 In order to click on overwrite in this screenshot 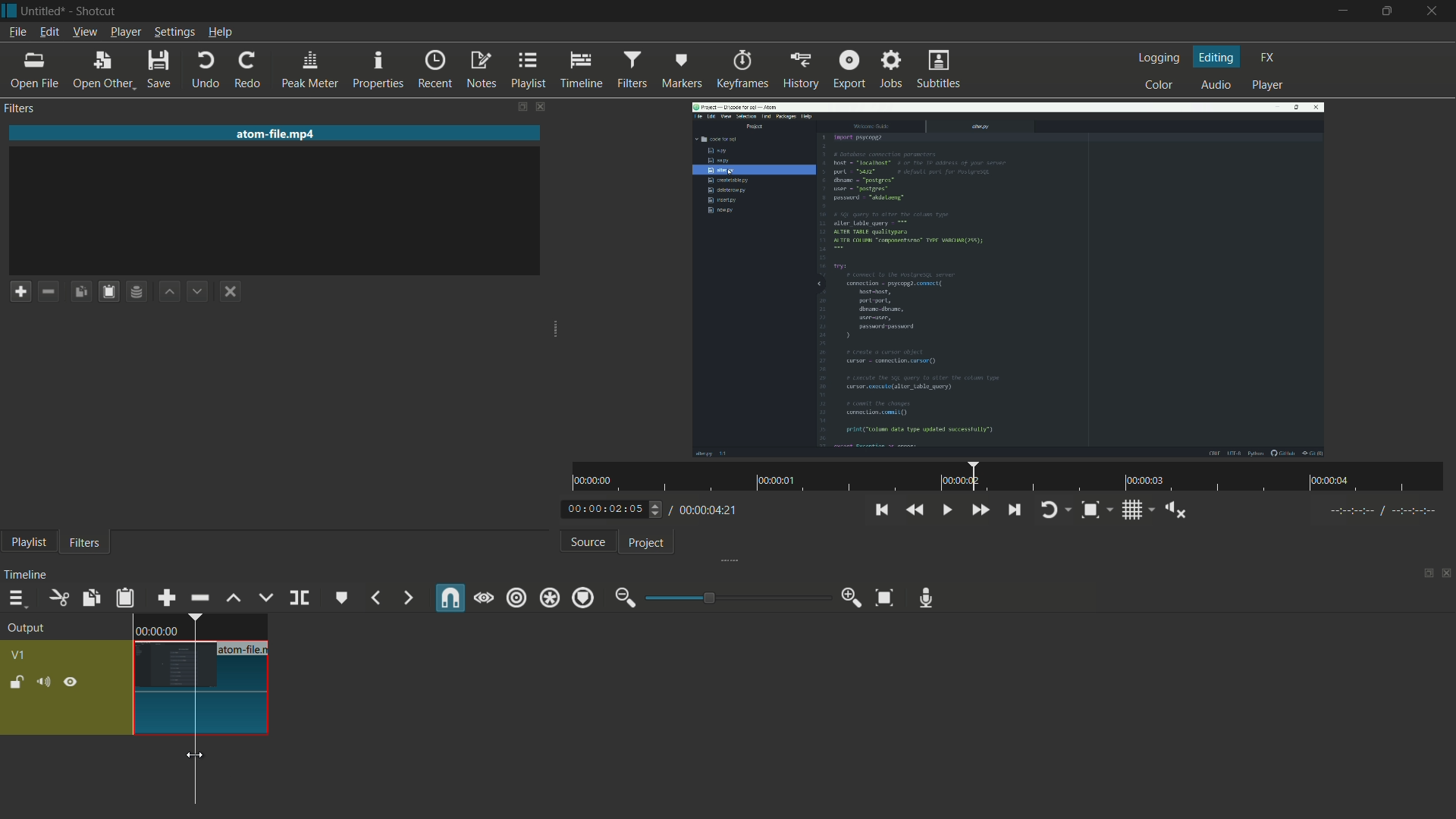, I will do `click(267, 596)`.